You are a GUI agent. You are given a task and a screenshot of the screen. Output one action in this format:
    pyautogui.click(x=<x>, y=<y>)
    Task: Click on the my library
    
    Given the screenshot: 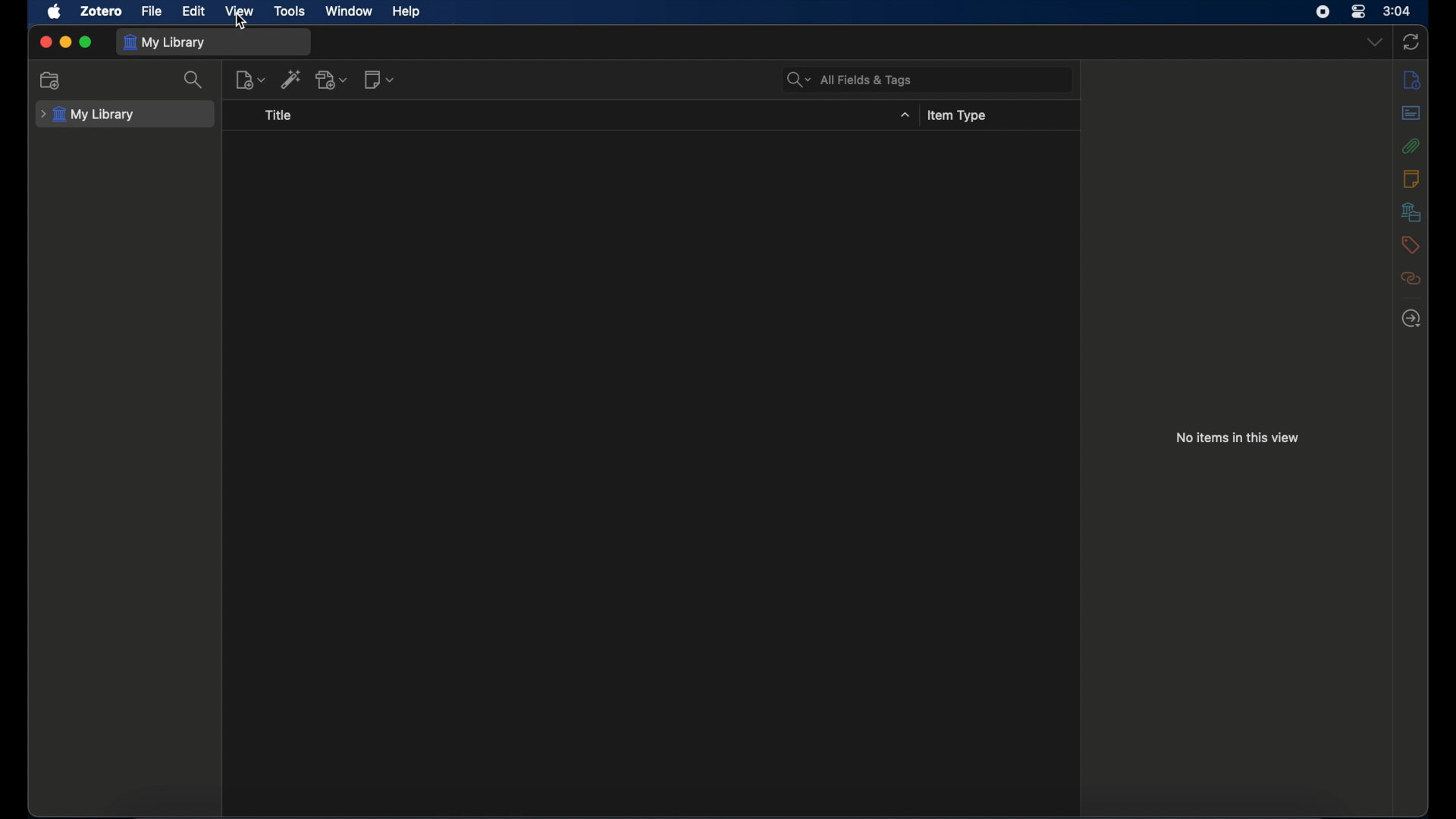 What is the action you would take?
    pyautogui.click(x=165, y=42)
    